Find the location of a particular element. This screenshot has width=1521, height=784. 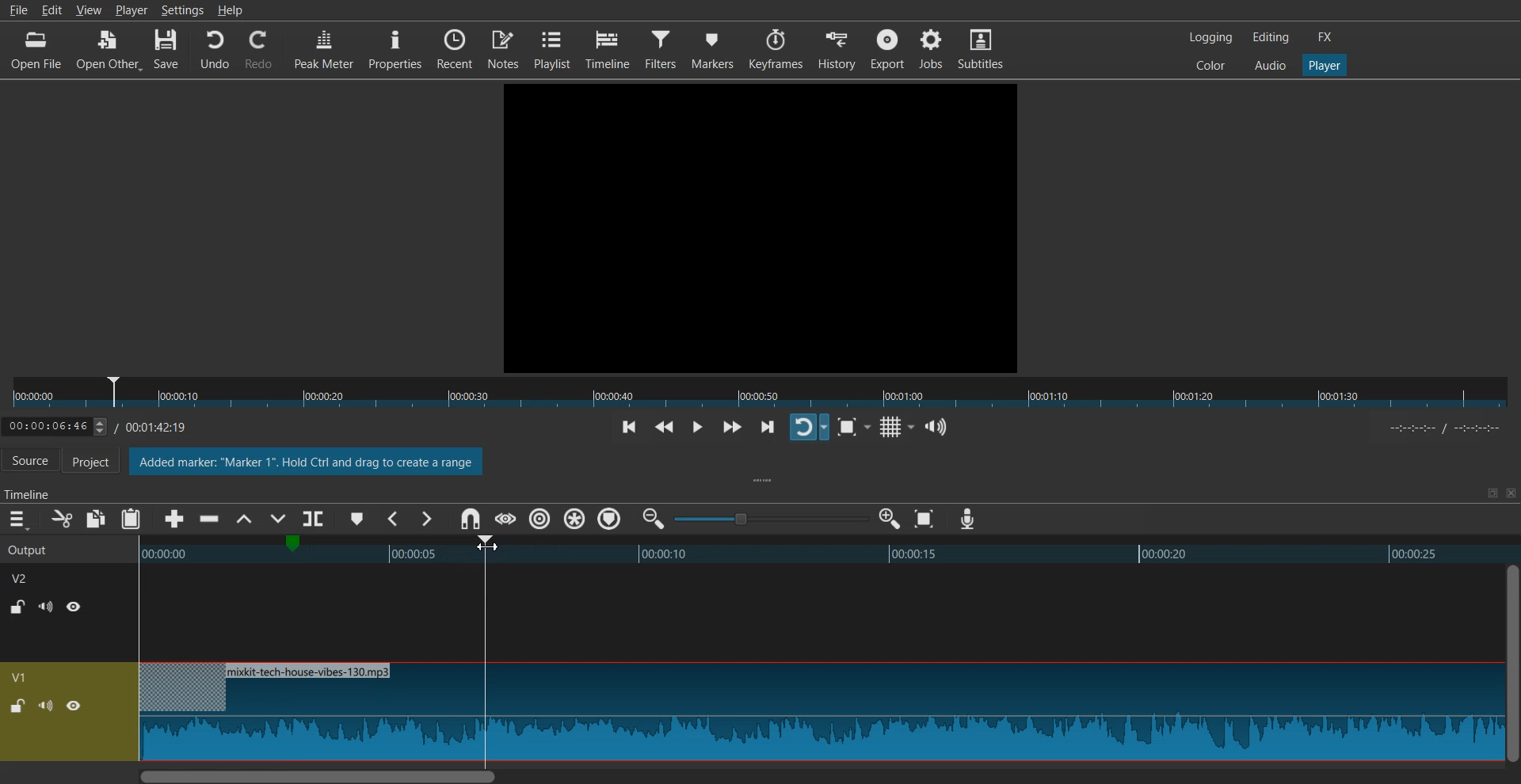

Audio is located at coordinates (1270, 64).